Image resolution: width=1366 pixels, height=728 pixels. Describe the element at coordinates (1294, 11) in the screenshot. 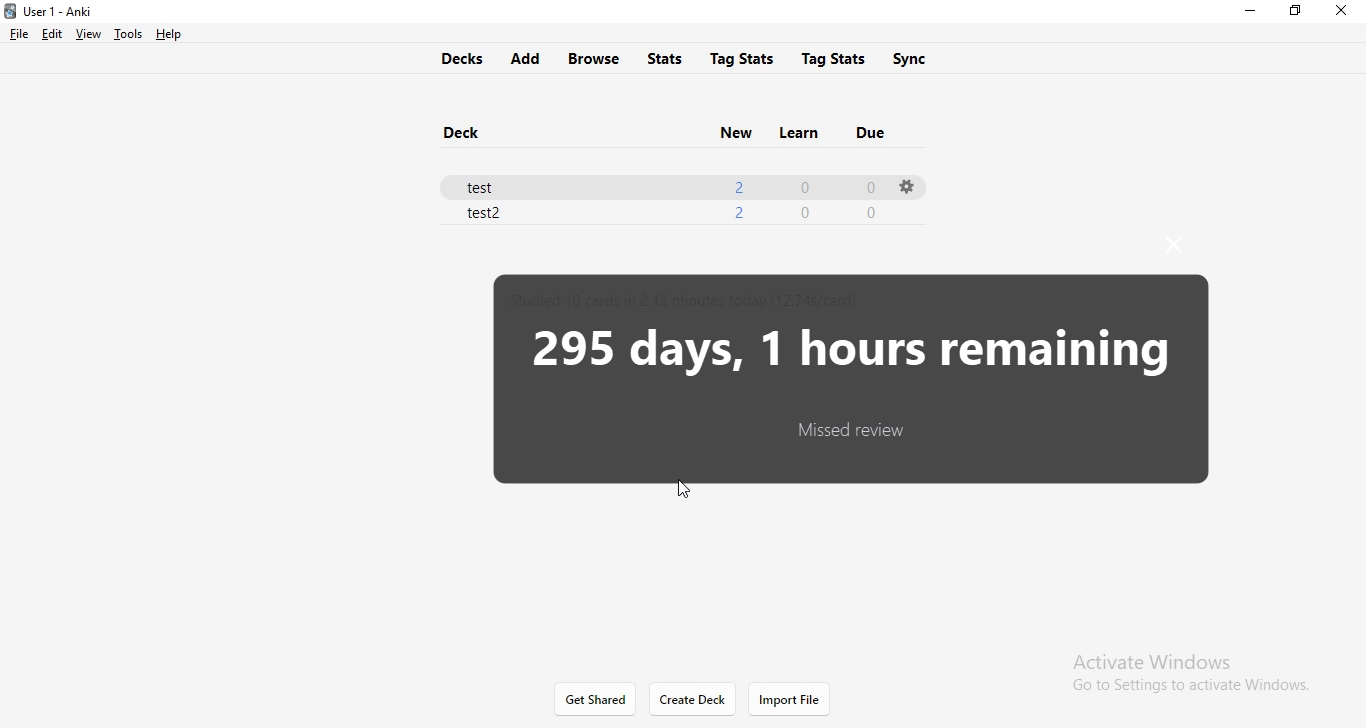

I see `restore` at that location.